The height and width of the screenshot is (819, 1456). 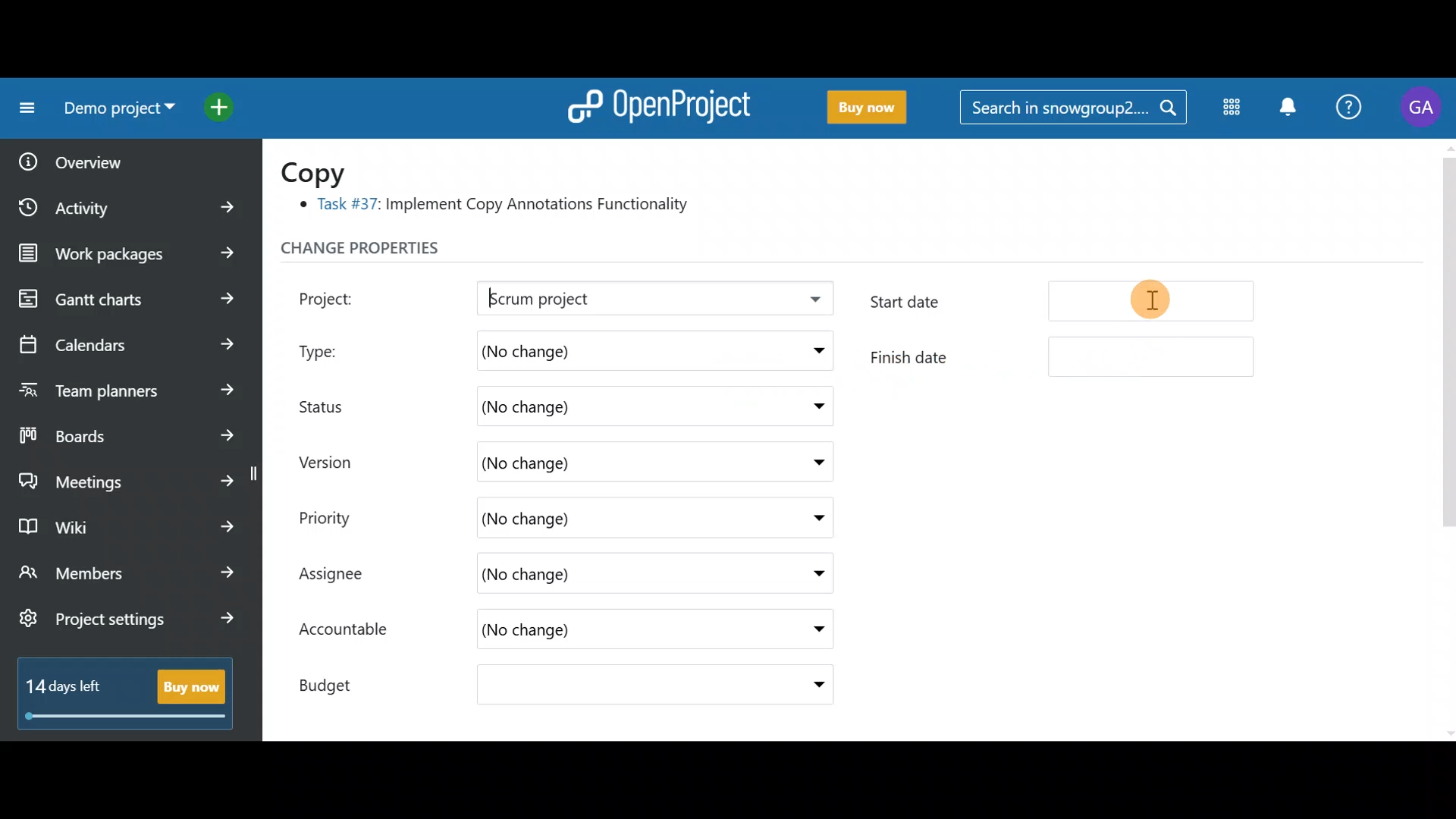 I want to click on (No change), so click(x=601, y=460).